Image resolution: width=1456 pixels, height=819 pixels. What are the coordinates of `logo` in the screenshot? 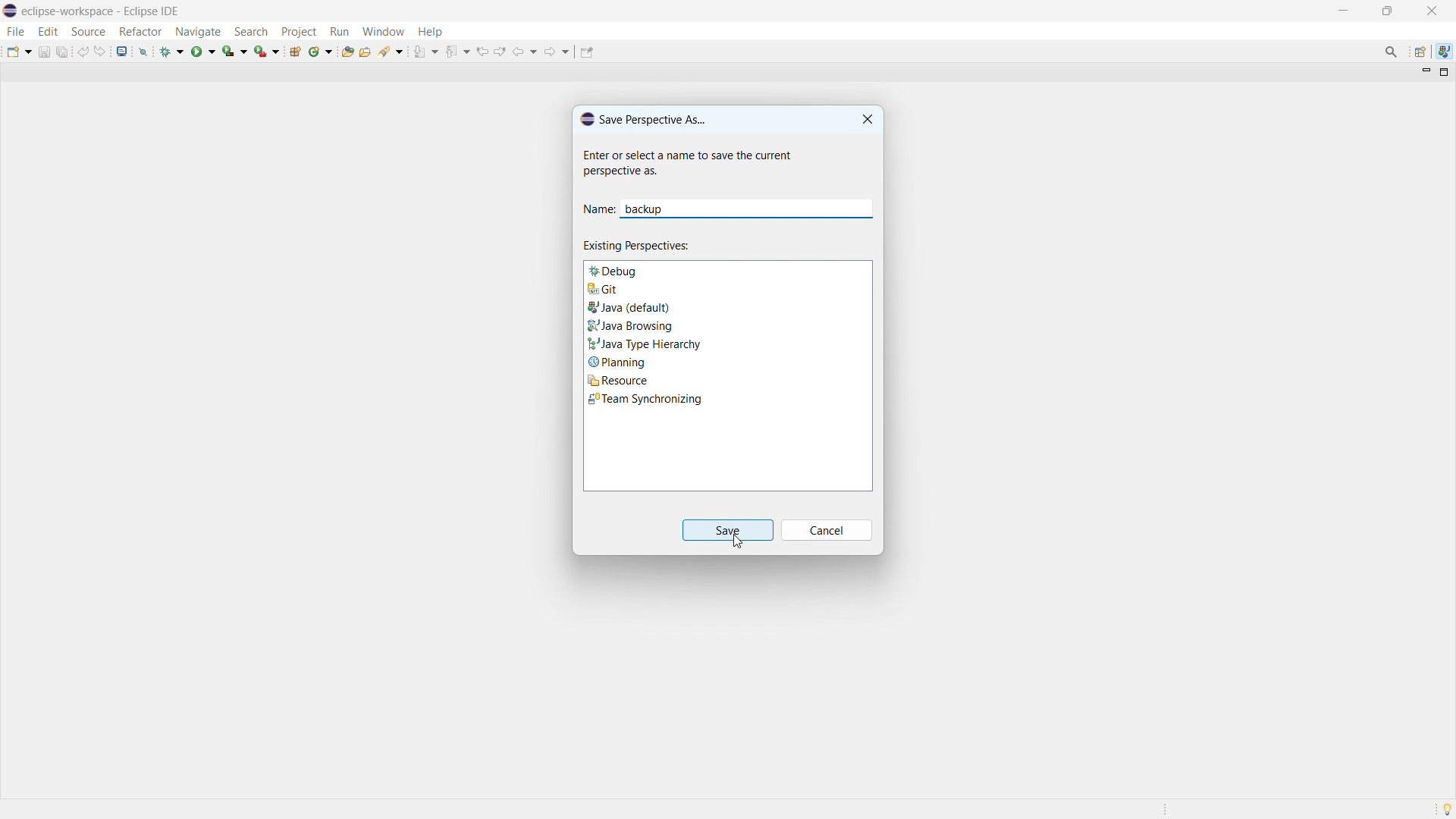 It's located at (11, 11).